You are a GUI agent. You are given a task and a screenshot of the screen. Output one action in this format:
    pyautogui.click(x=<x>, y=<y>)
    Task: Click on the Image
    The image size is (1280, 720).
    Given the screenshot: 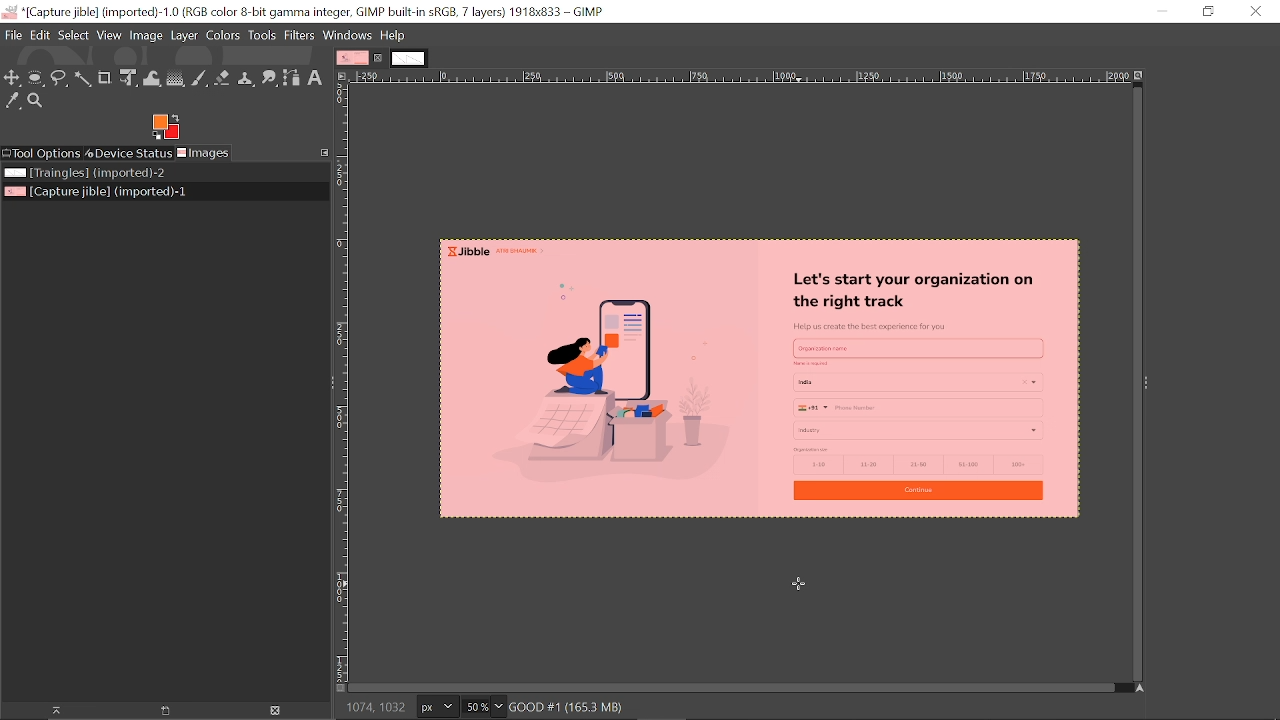 What is the action you would take?
    pyautogui.click(x=147, y=35)
    